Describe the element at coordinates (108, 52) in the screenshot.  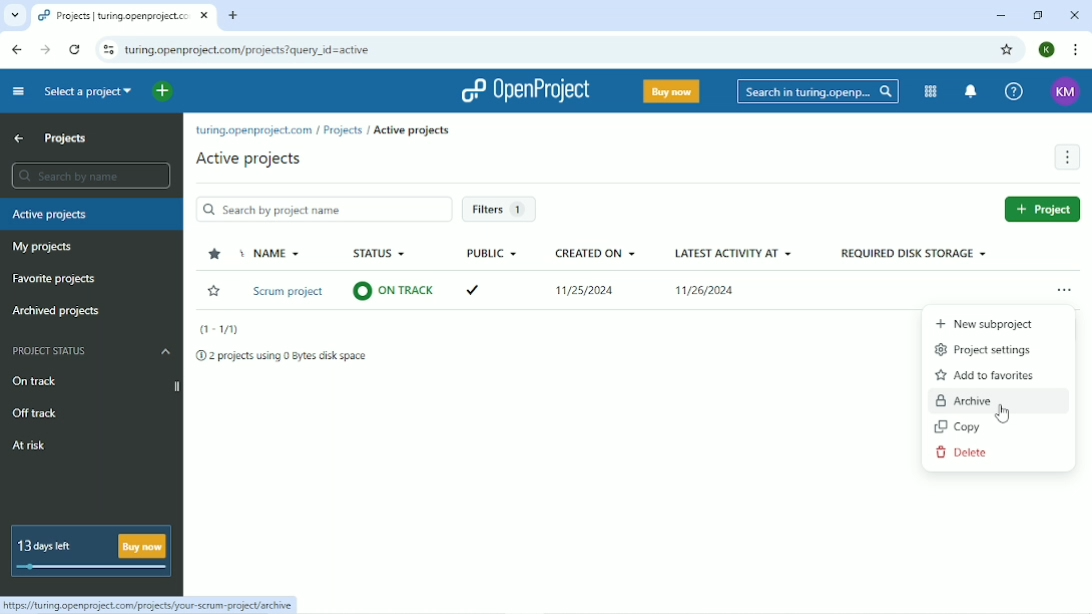
I see `View site information` at that location.